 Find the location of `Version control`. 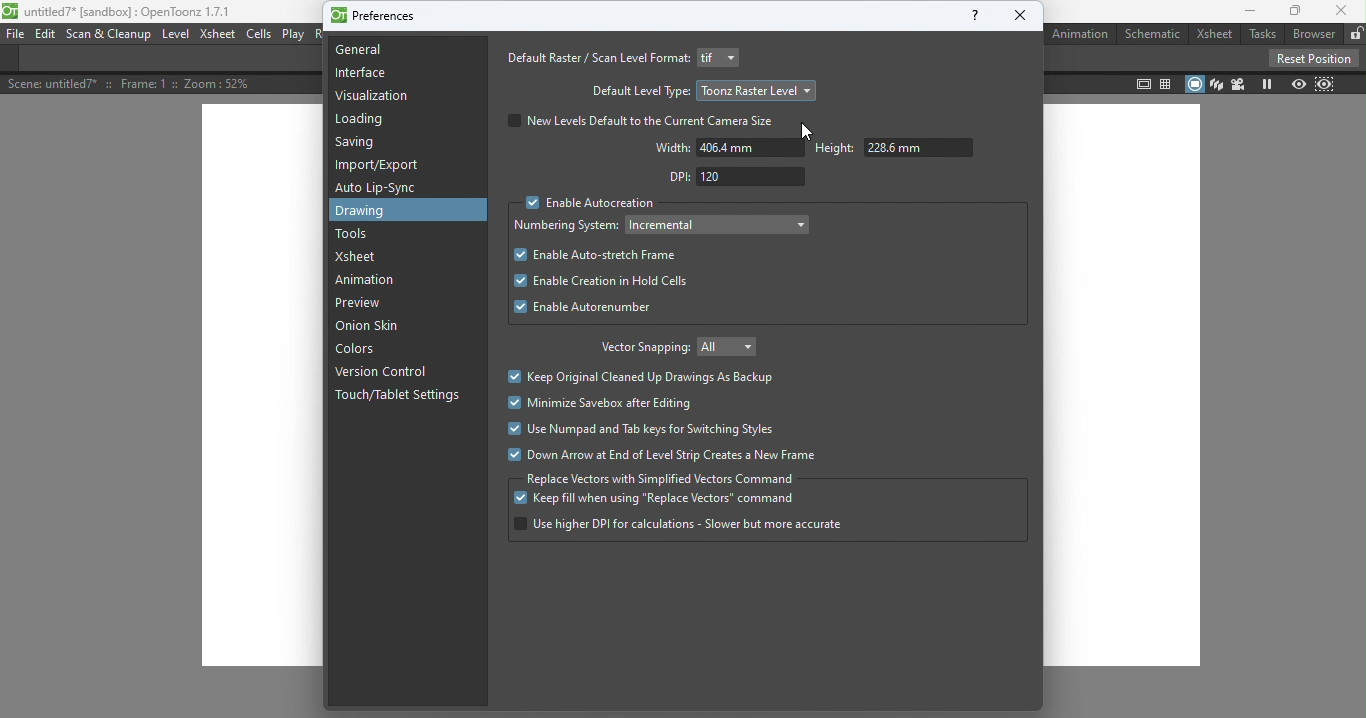

Version control is located at coordinates (380, 370).